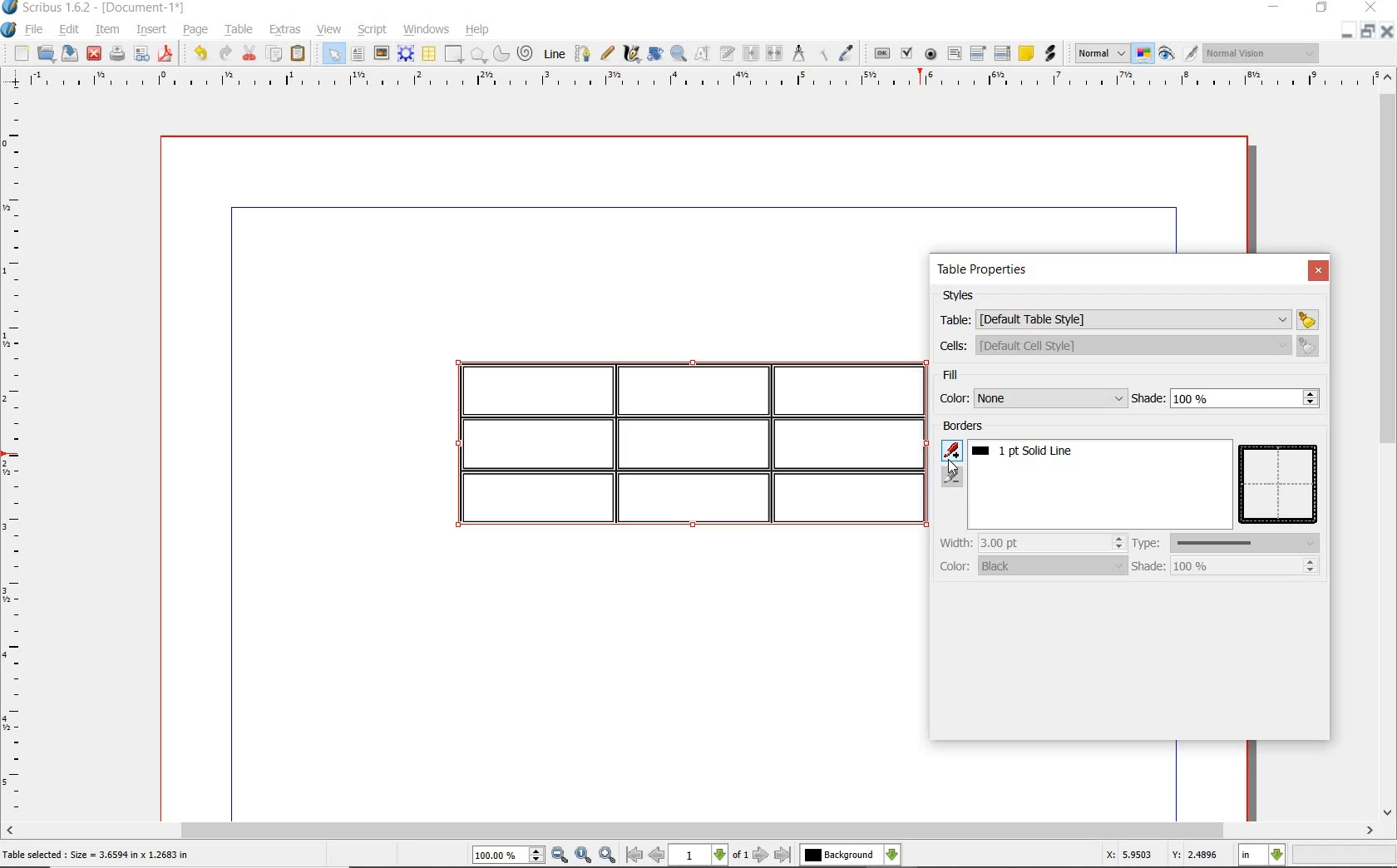  What do you see at coordinates (44, 52) in the screenshot?
I see `open` at bounding box center [44, 52].